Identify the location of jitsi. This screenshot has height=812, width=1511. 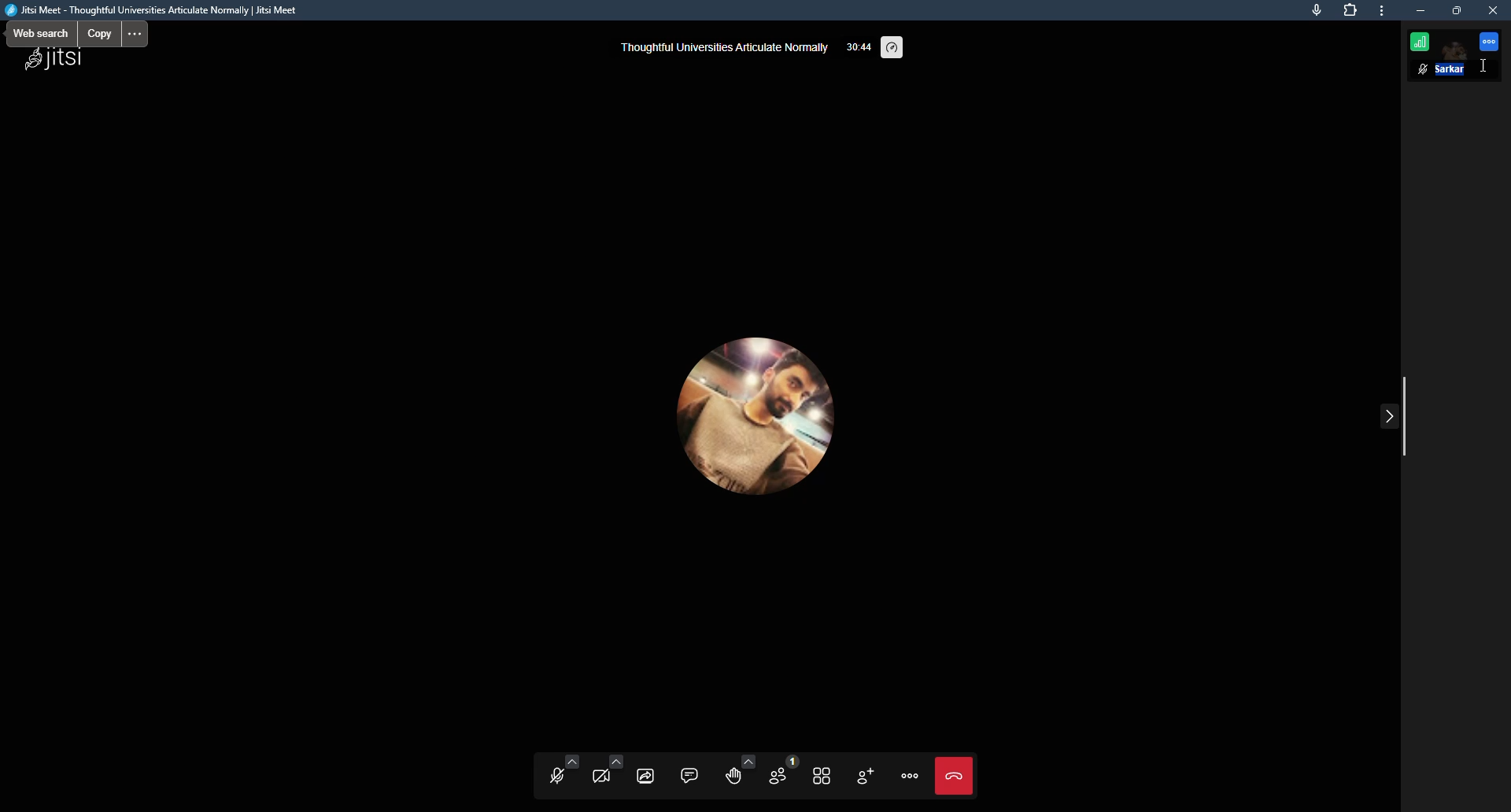
(57, 61).